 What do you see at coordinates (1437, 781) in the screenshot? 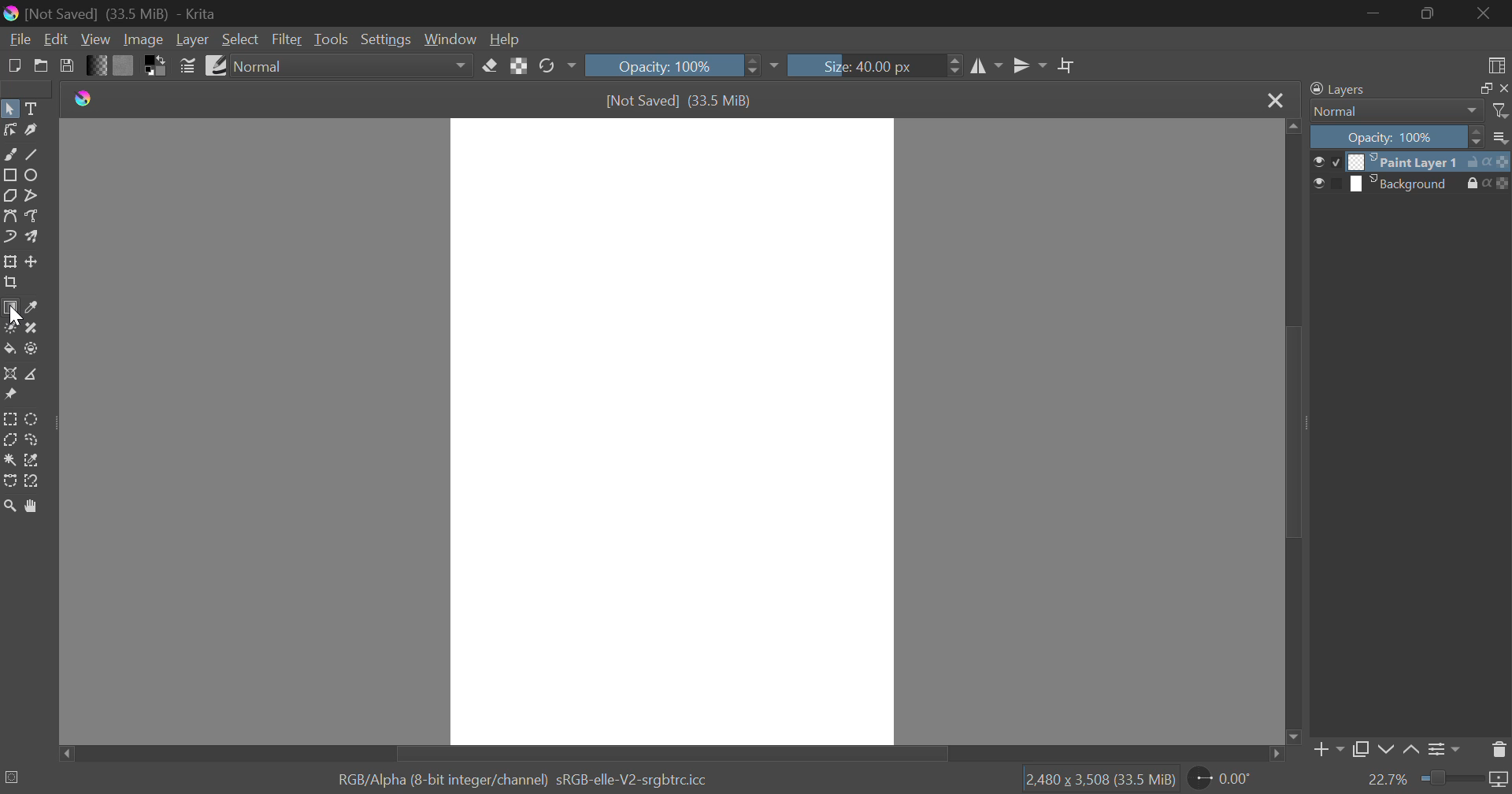
I see `22.7%` at bounding box center [1437, 781].